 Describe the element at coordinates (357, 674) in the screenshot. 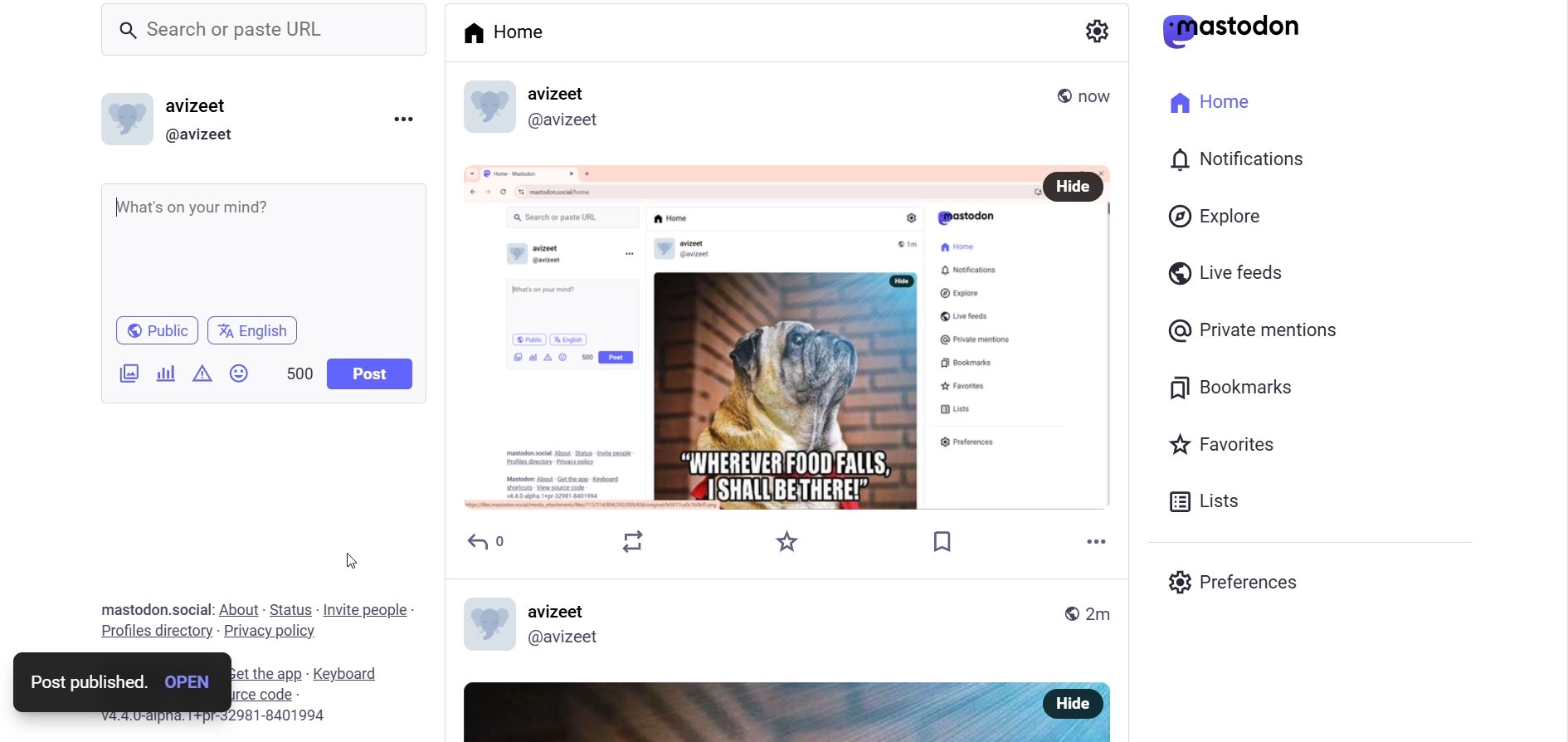

I see `keyboard ` at that location.